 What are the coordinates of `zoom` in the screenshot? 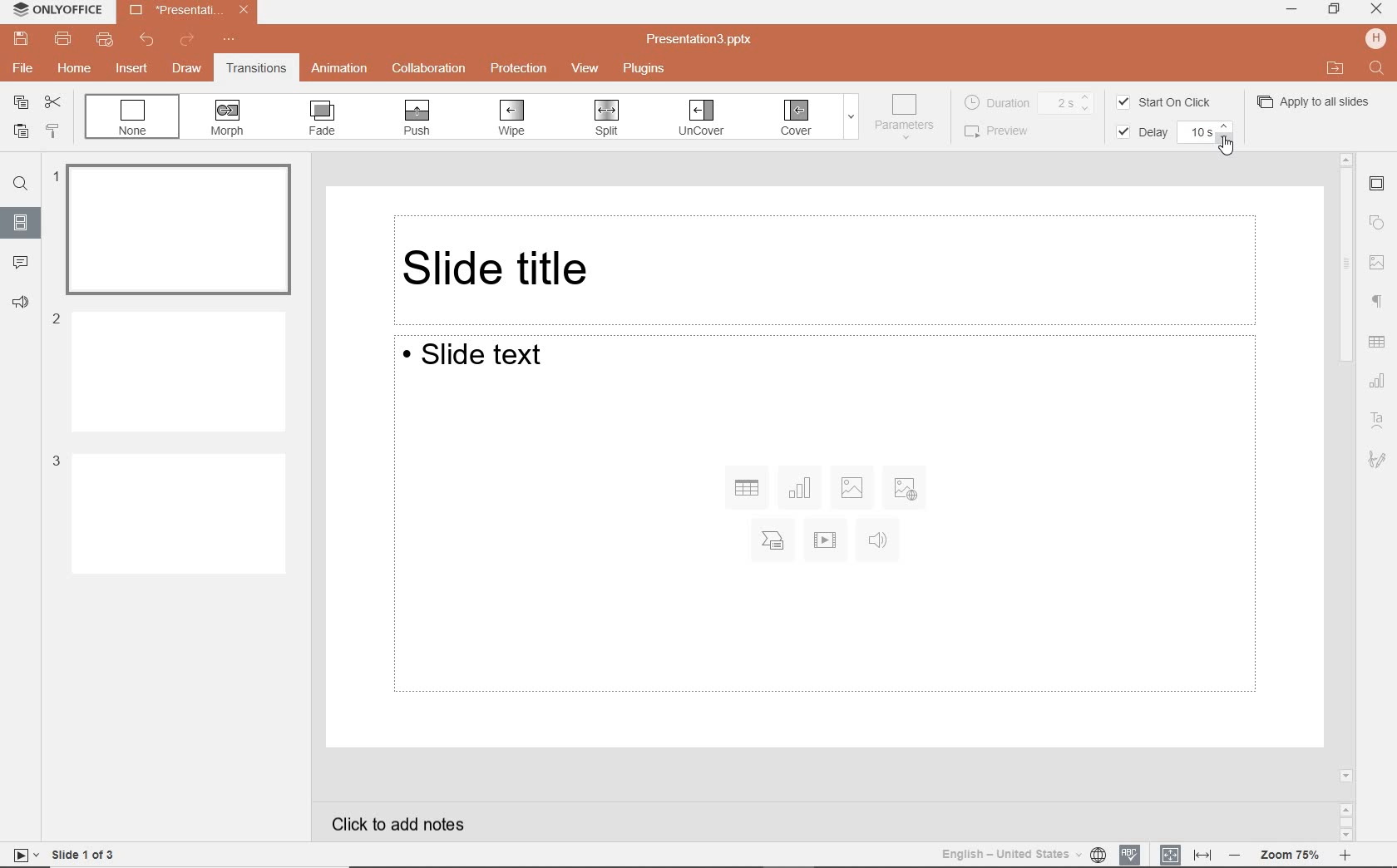 It's located at (1291, 854).